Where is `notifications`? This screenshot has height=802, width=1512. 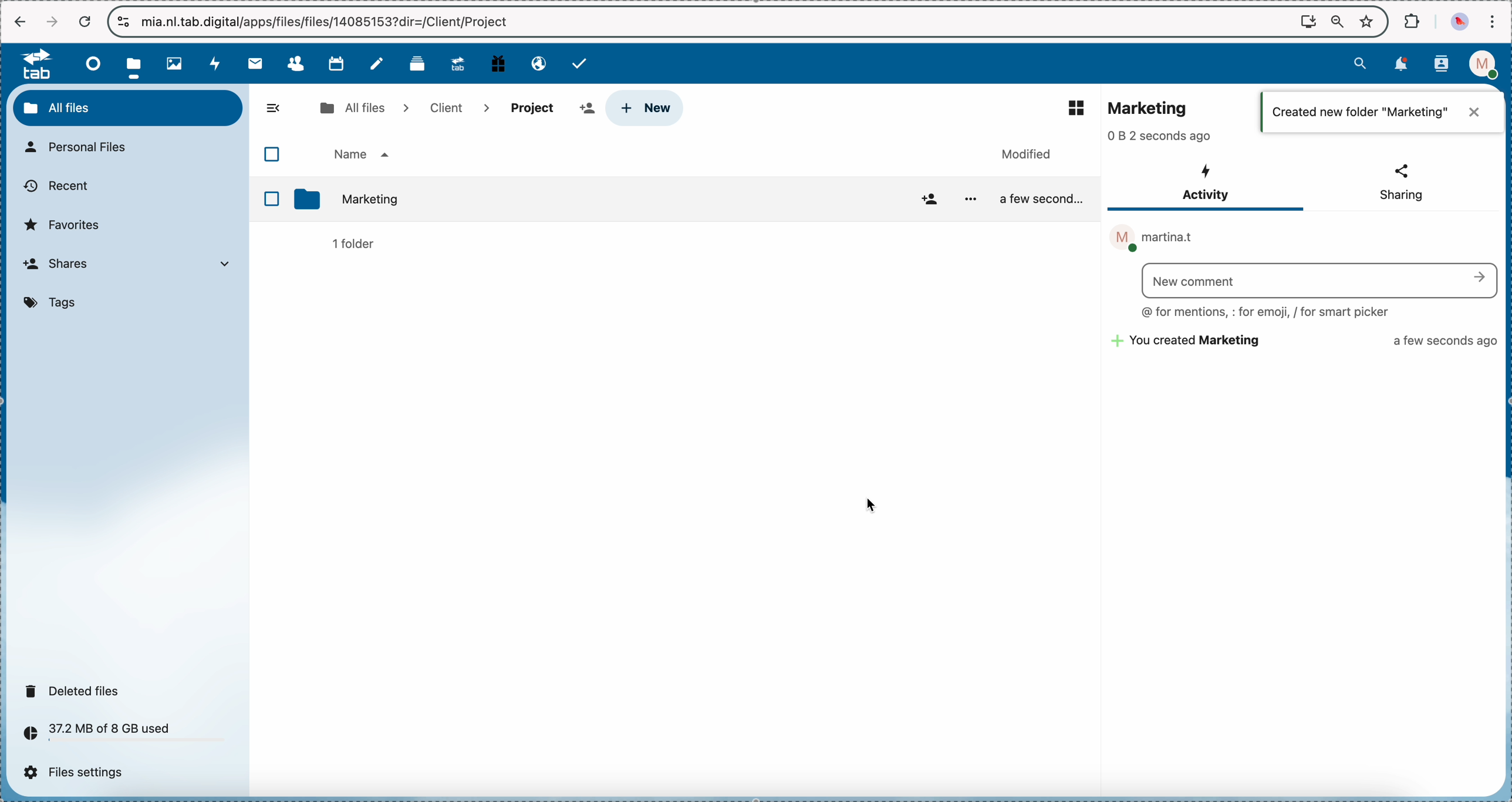
notifications is located at coordinates (1399, 65).